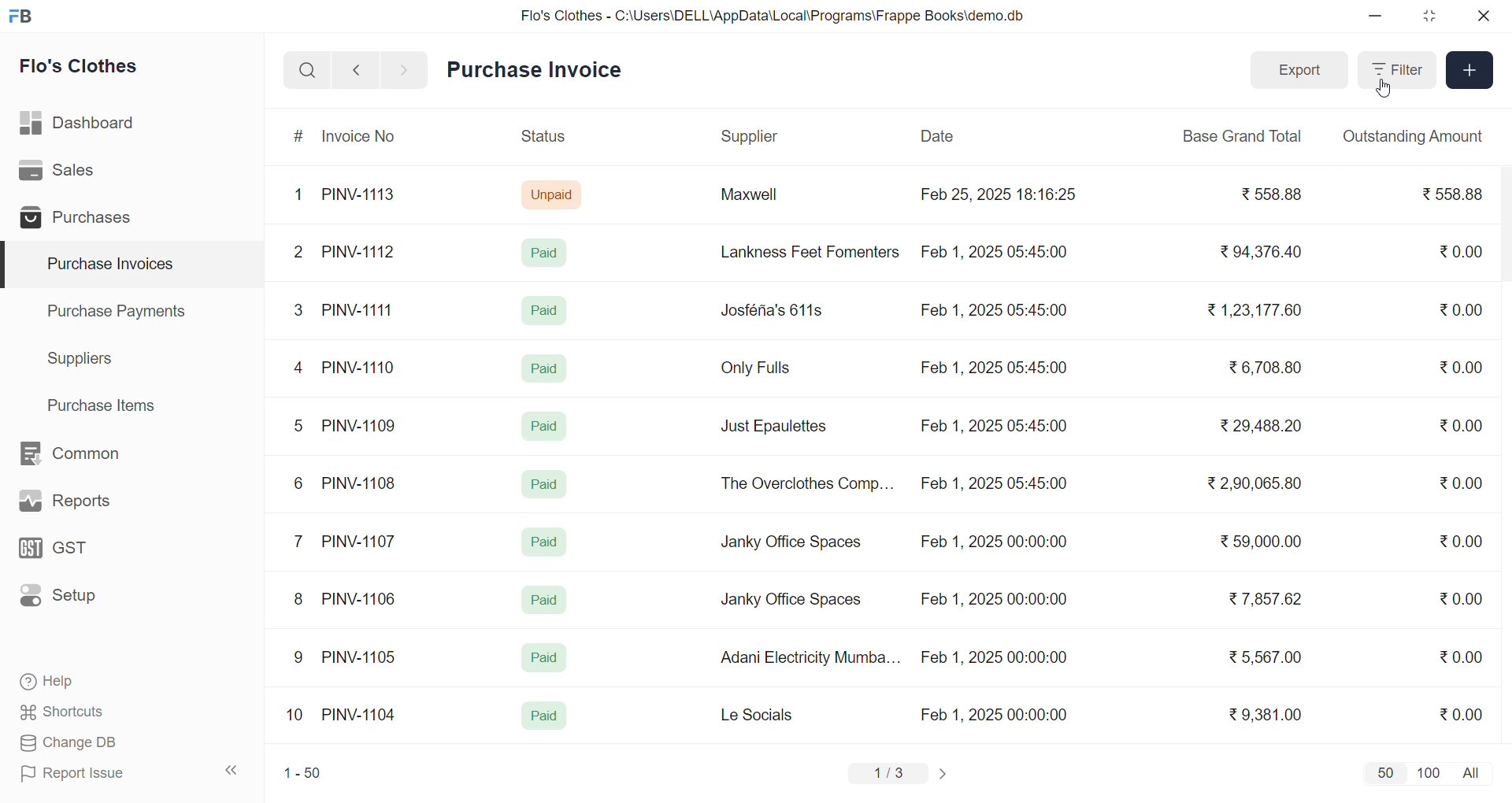  Describe the element at coordinates (1238, 136) in the screenshot. I see `Base Grand Total` at that location.